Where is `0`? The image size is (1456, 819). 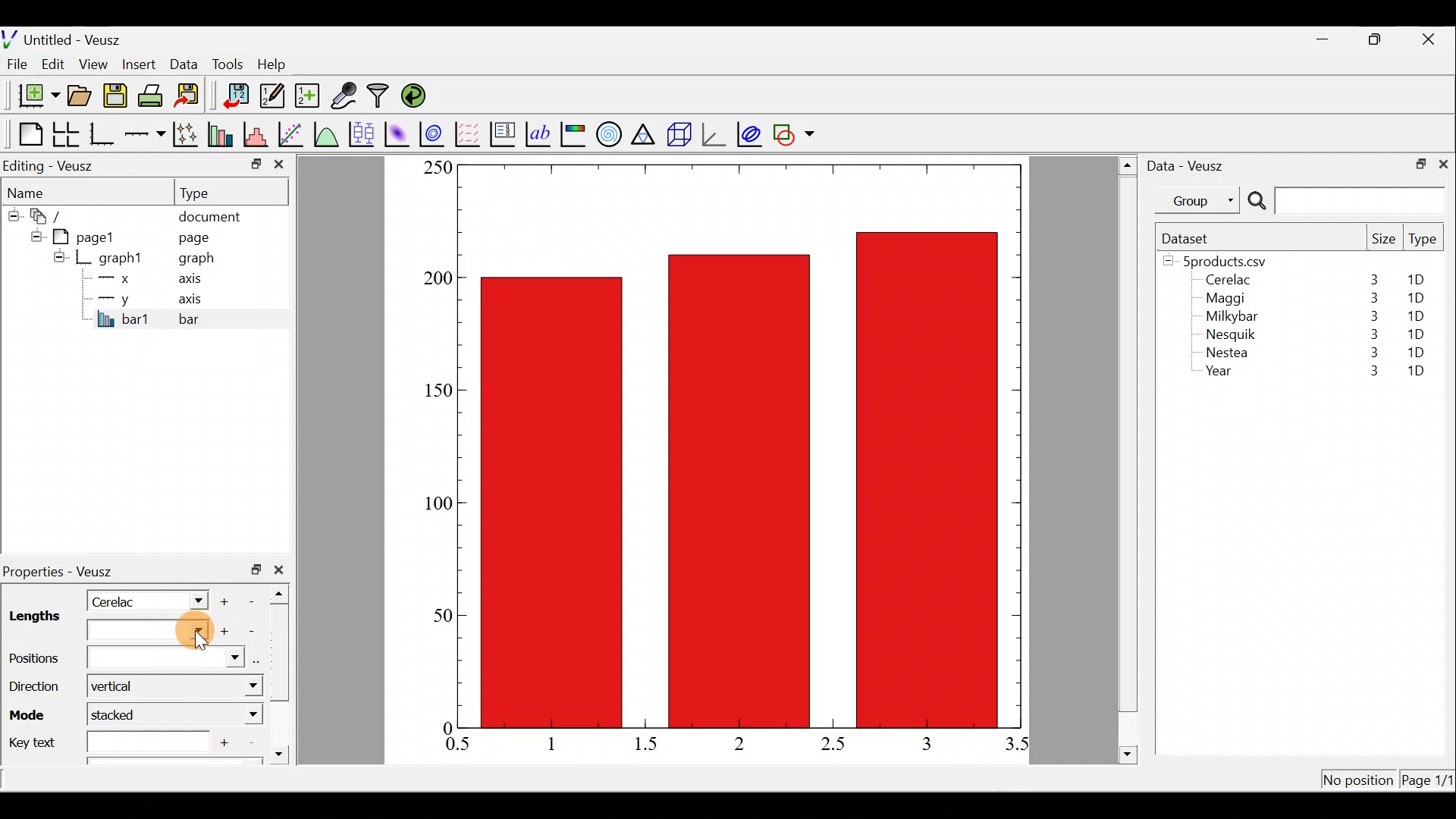 0 is located at coordinates (445, 727).